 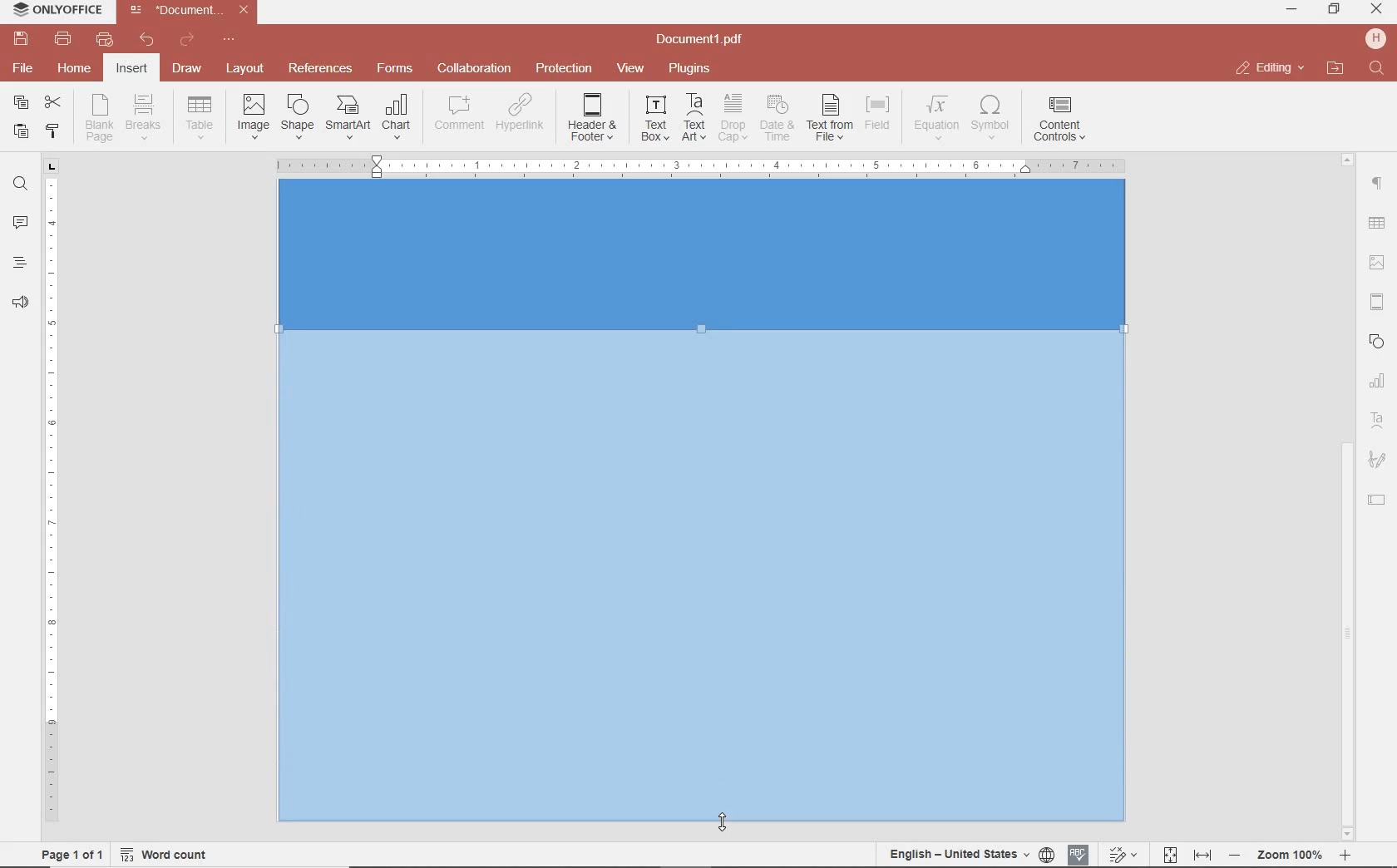 I want to click on DROP CAP, so click(x=733, y=118).